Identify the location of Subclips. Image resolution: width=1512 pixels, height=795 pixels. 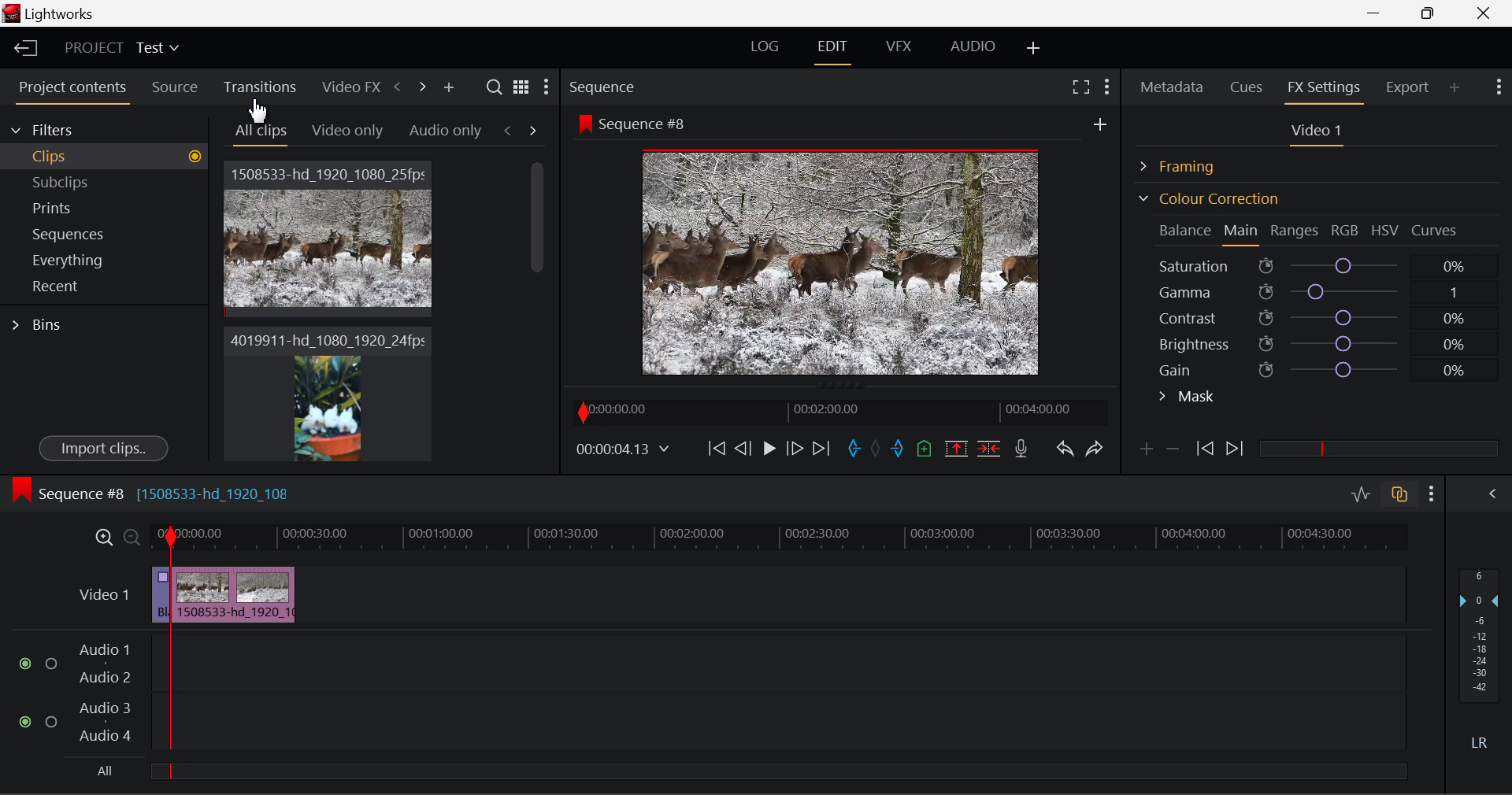
(76, 182).